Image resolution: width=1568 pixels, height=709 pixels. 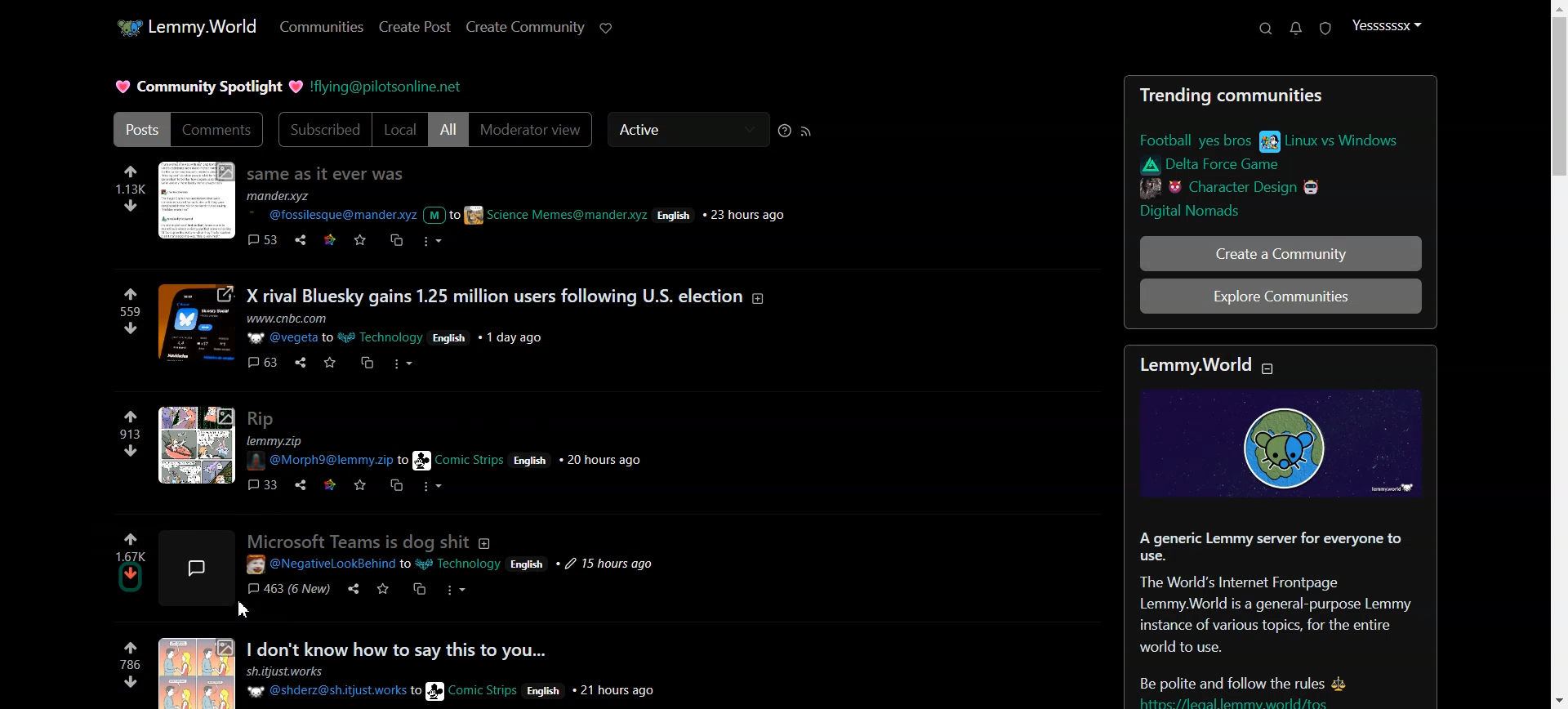 What do you see at coordinates (1281, 94) in the screenshot?
I see `Text` at bounding box center [1281, 94].